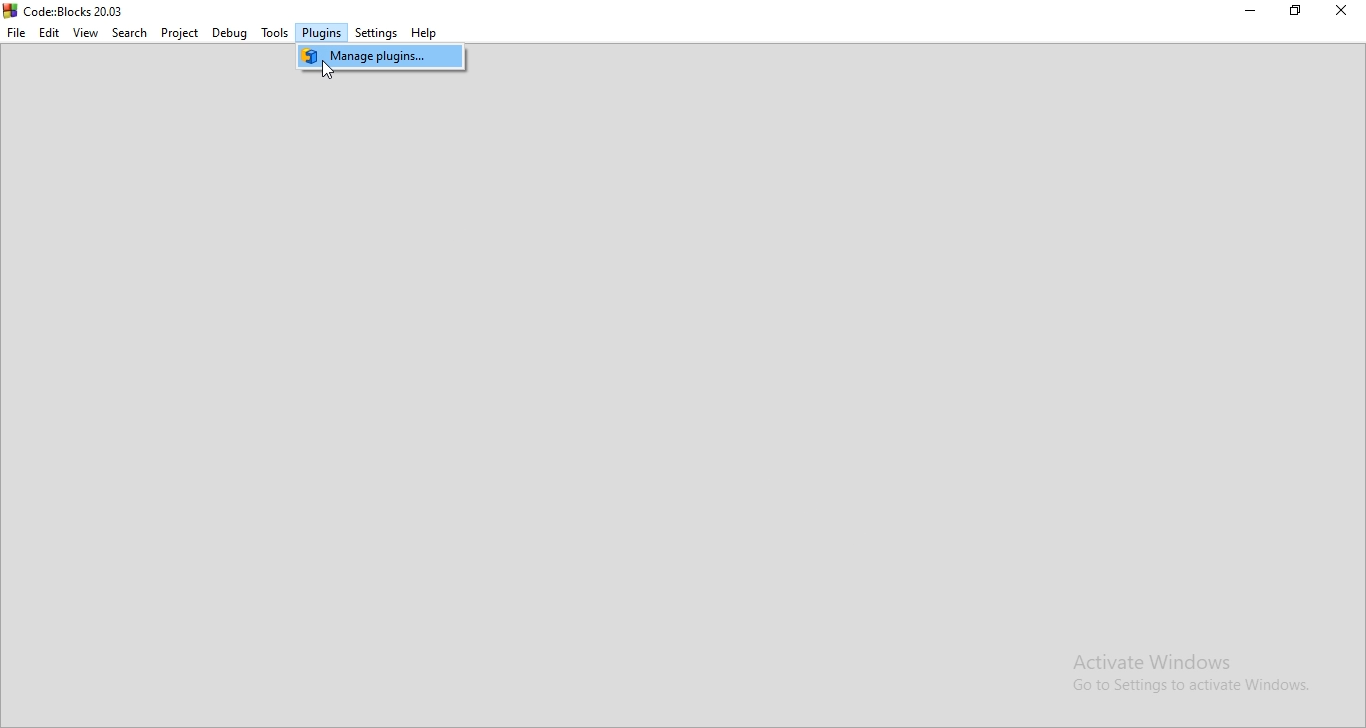 Image resolution: width=1366 pixels, height=728 pixels. I want to click on plugins, so click(323, 32).